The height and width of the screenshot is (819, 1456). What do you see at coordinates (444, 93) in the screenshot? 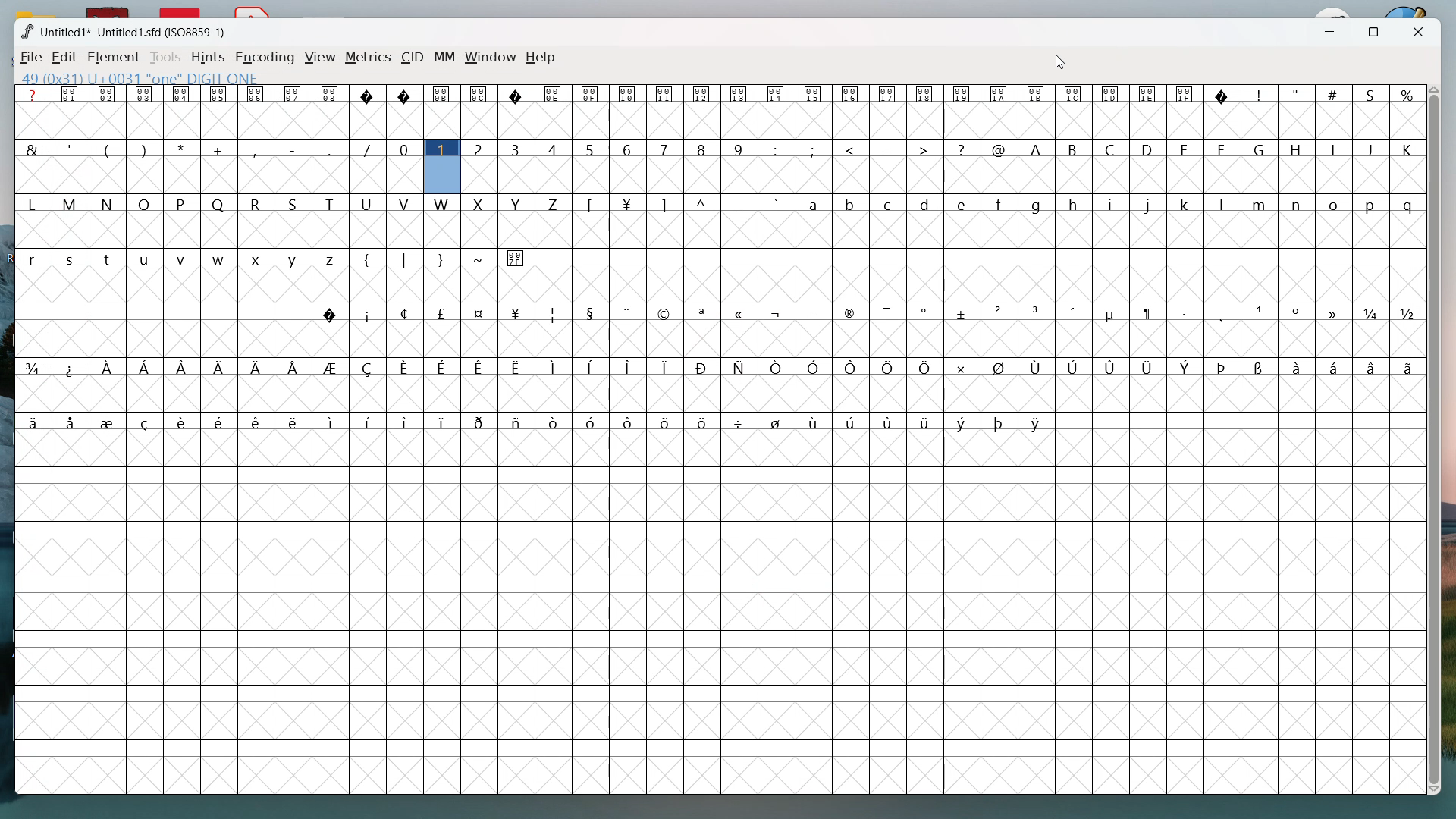
I see `symbol` at bounding box center [444, 93].